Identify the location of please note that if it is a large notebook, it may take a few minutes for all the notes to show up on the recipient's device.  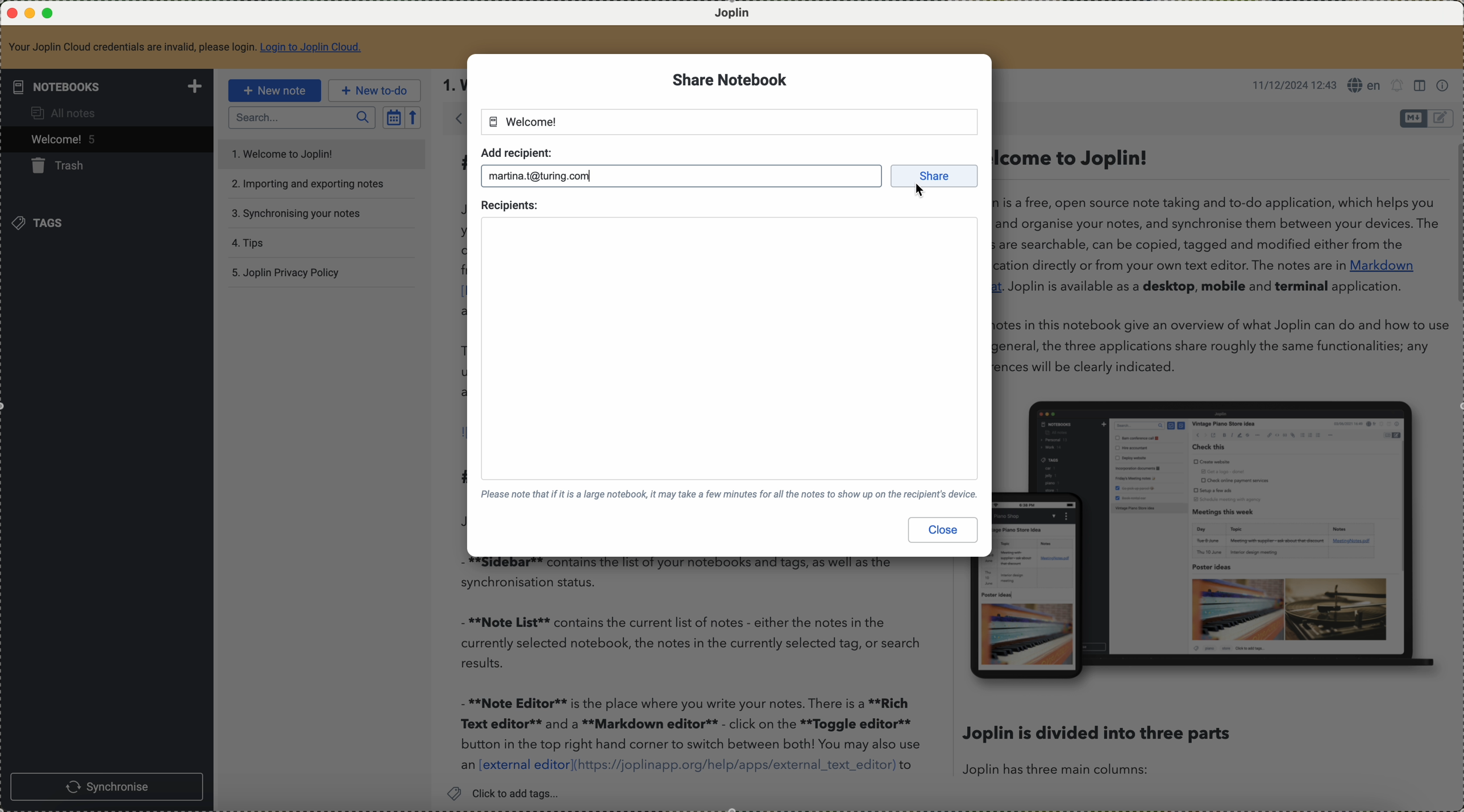
(726, 494).